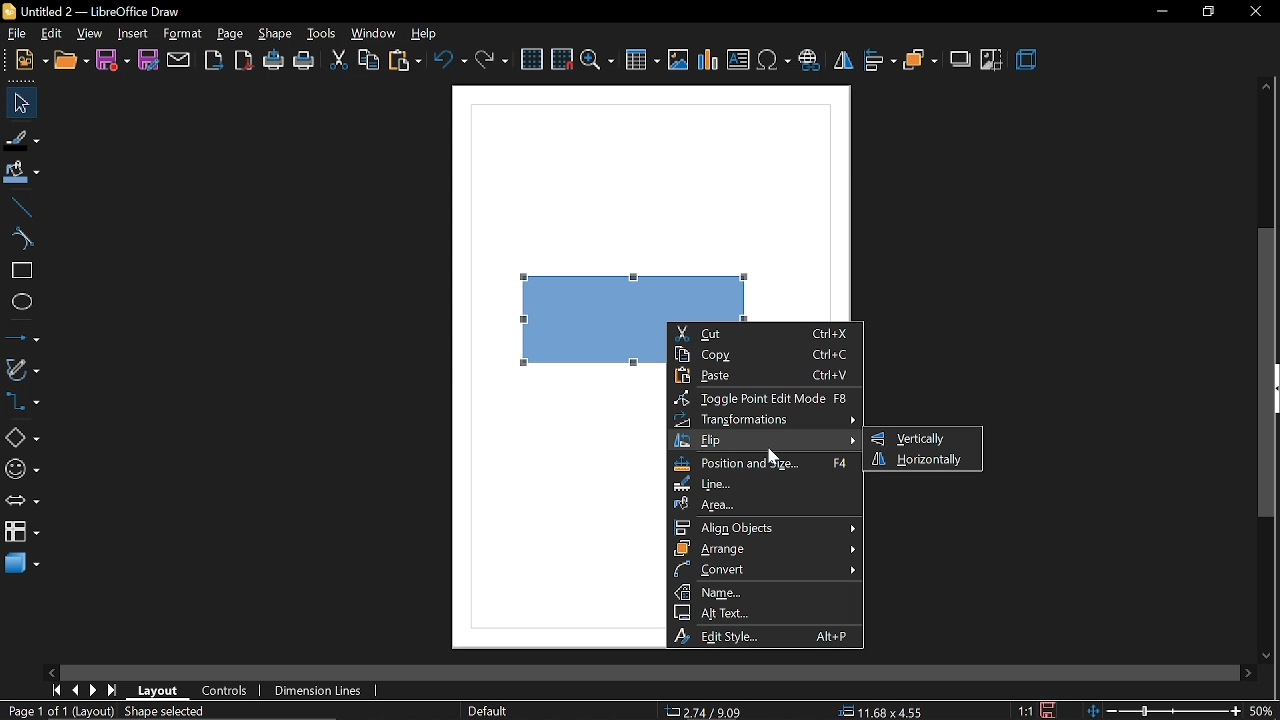 This screenshot has width=1280, height=720. I want to click on 1:1, so click(1025, 710).